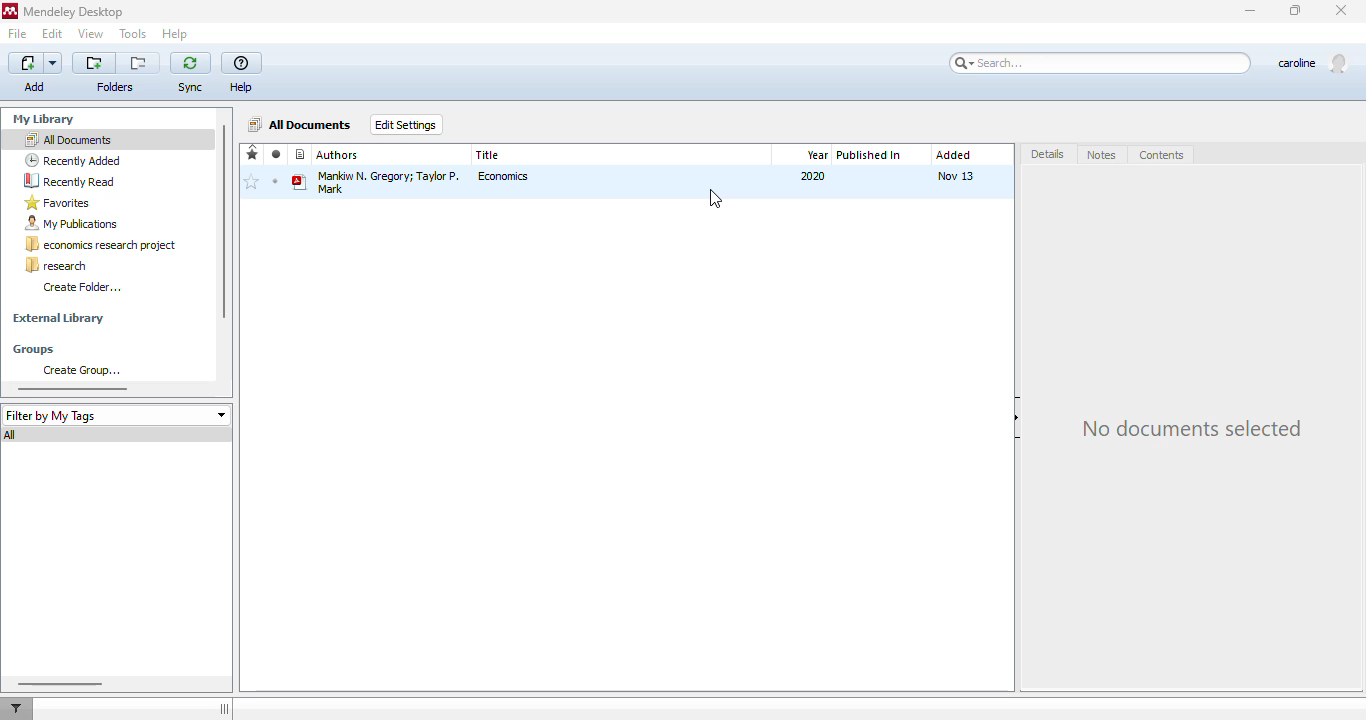 The width and height of the screenshot is (1366, 720). What do you see at coordinates (35, 73) in the screenshot?
I see `add` at bounding box center [35, 73].